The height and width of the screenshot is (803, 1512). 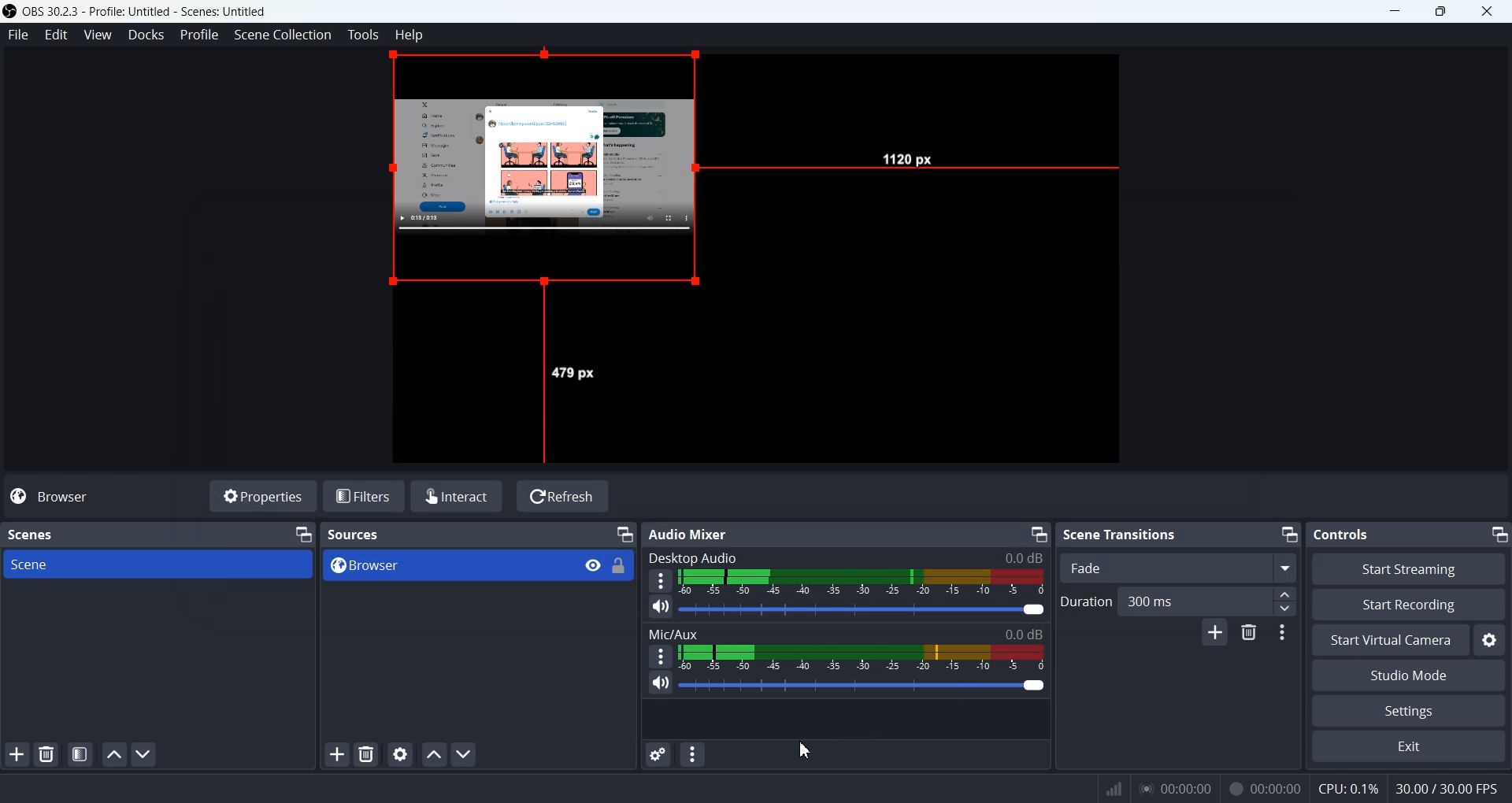 I want to click on View, so click(x=98, y=35).